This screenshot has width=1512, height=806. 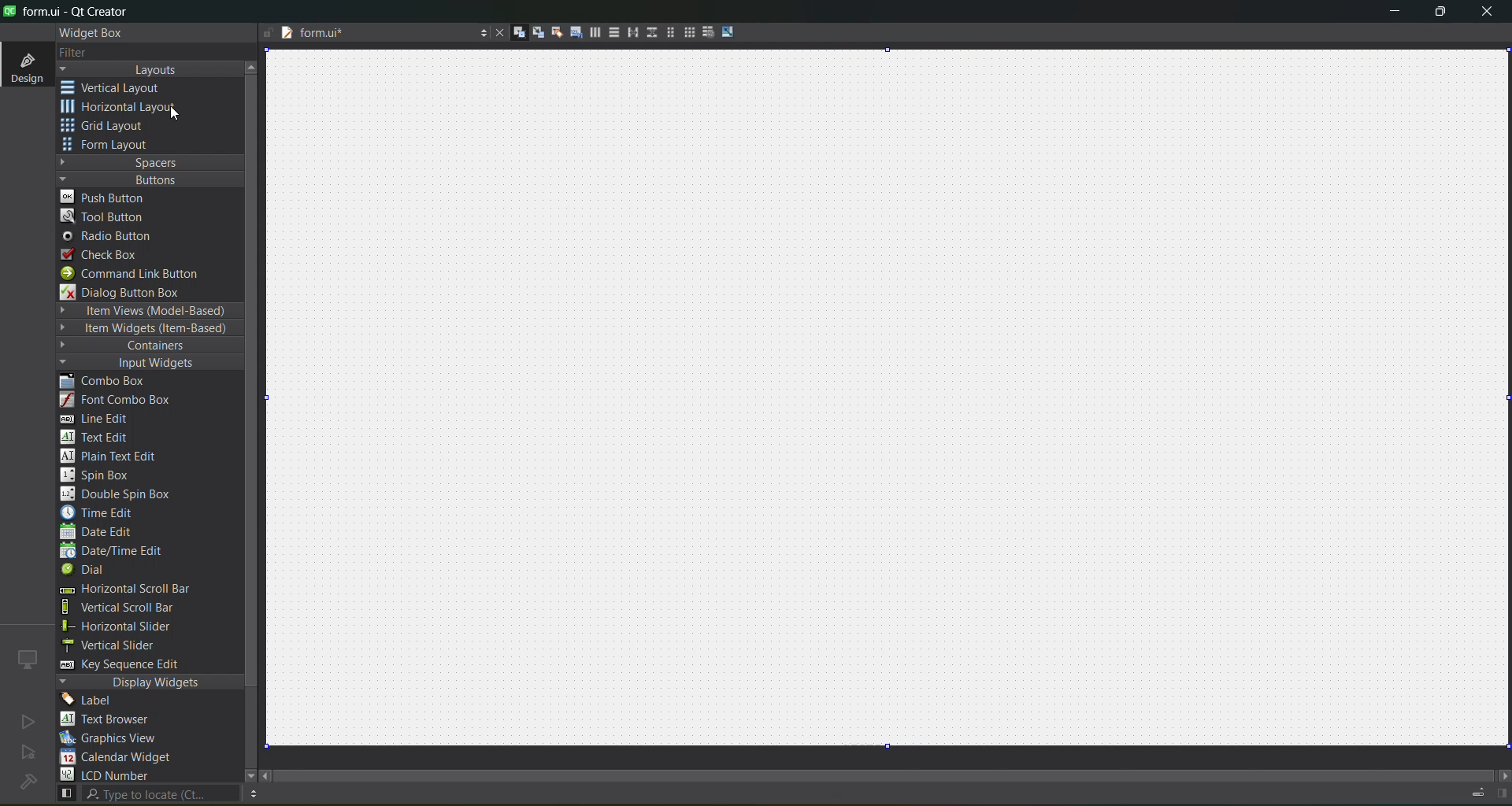 What do you see at coordinates (114, 720) in the screenshot?
I see `text` at bounding box center [114, 720].